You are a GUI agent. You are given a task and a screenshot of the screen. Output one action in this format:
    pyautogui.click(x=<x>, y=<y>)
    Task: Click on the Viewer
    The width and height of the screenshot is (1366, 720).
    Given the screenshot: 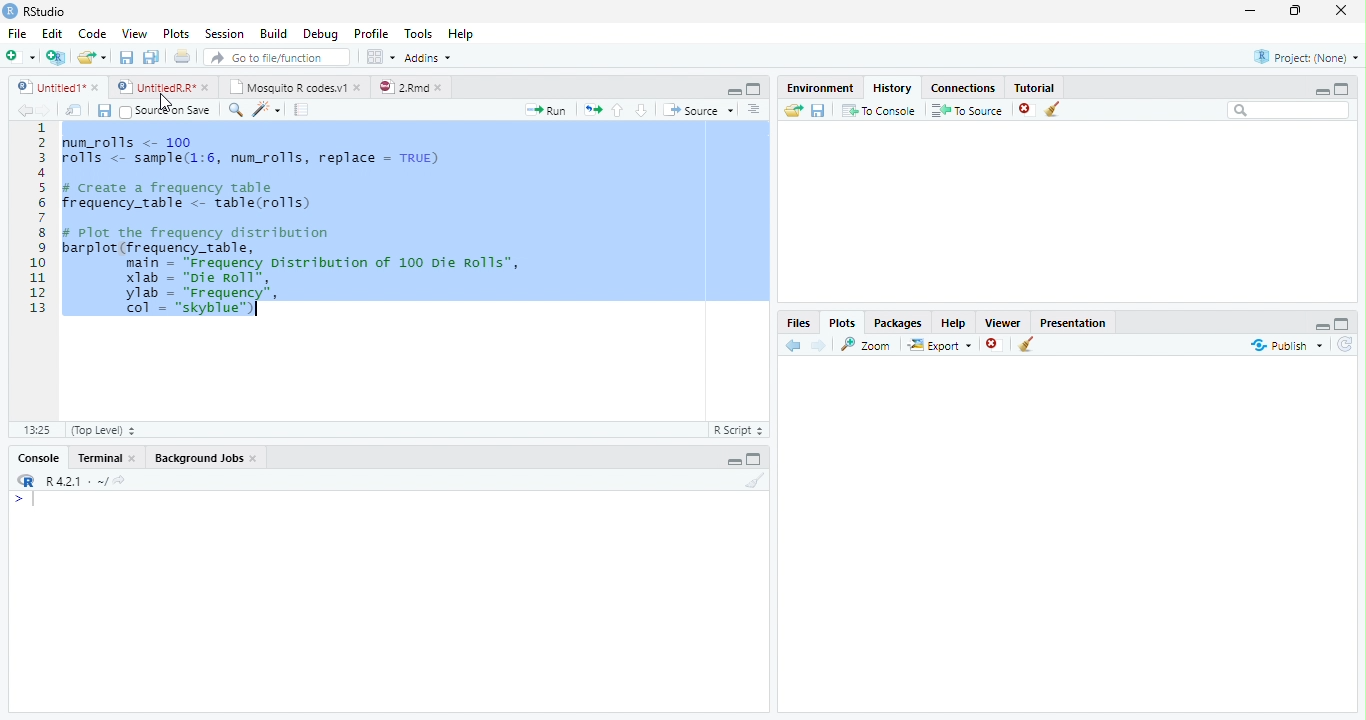 What is the action you would take?
    pyautogui.click(x=1002, y=321)
    